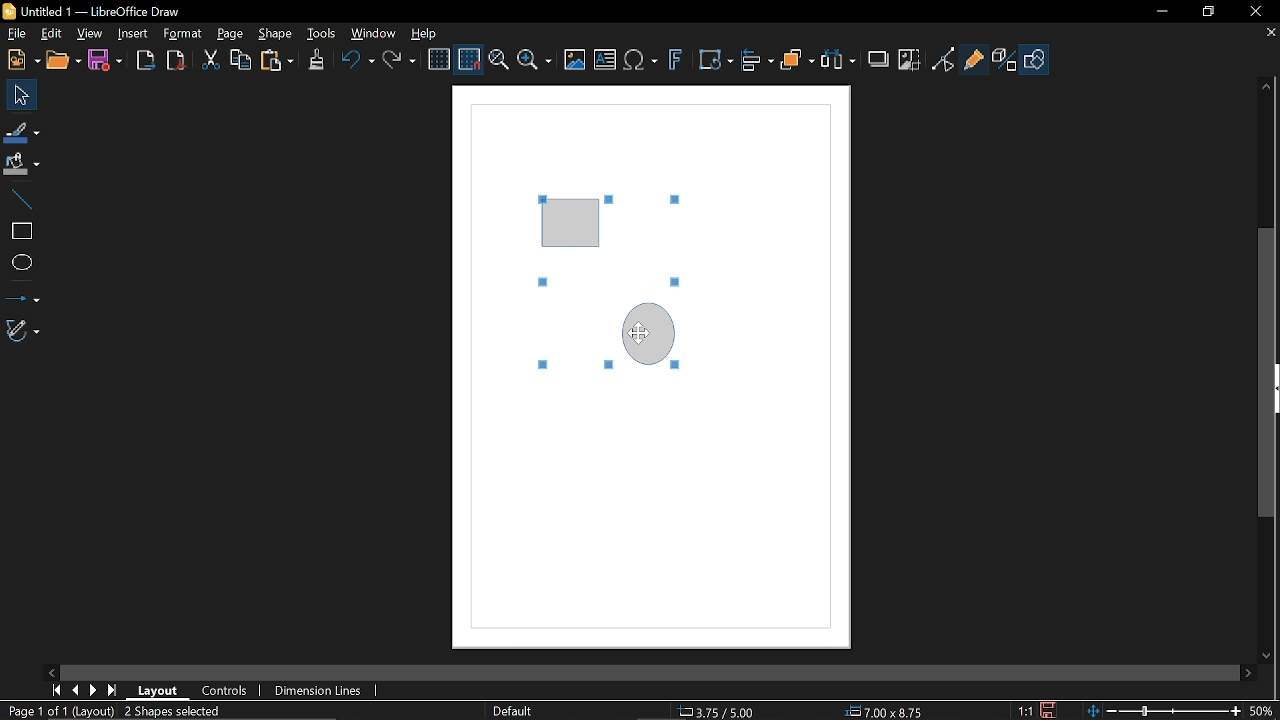  What do you see at coordinates (230, 35) in the screenshot?
I see `Page` at bounding box center [230, 35].